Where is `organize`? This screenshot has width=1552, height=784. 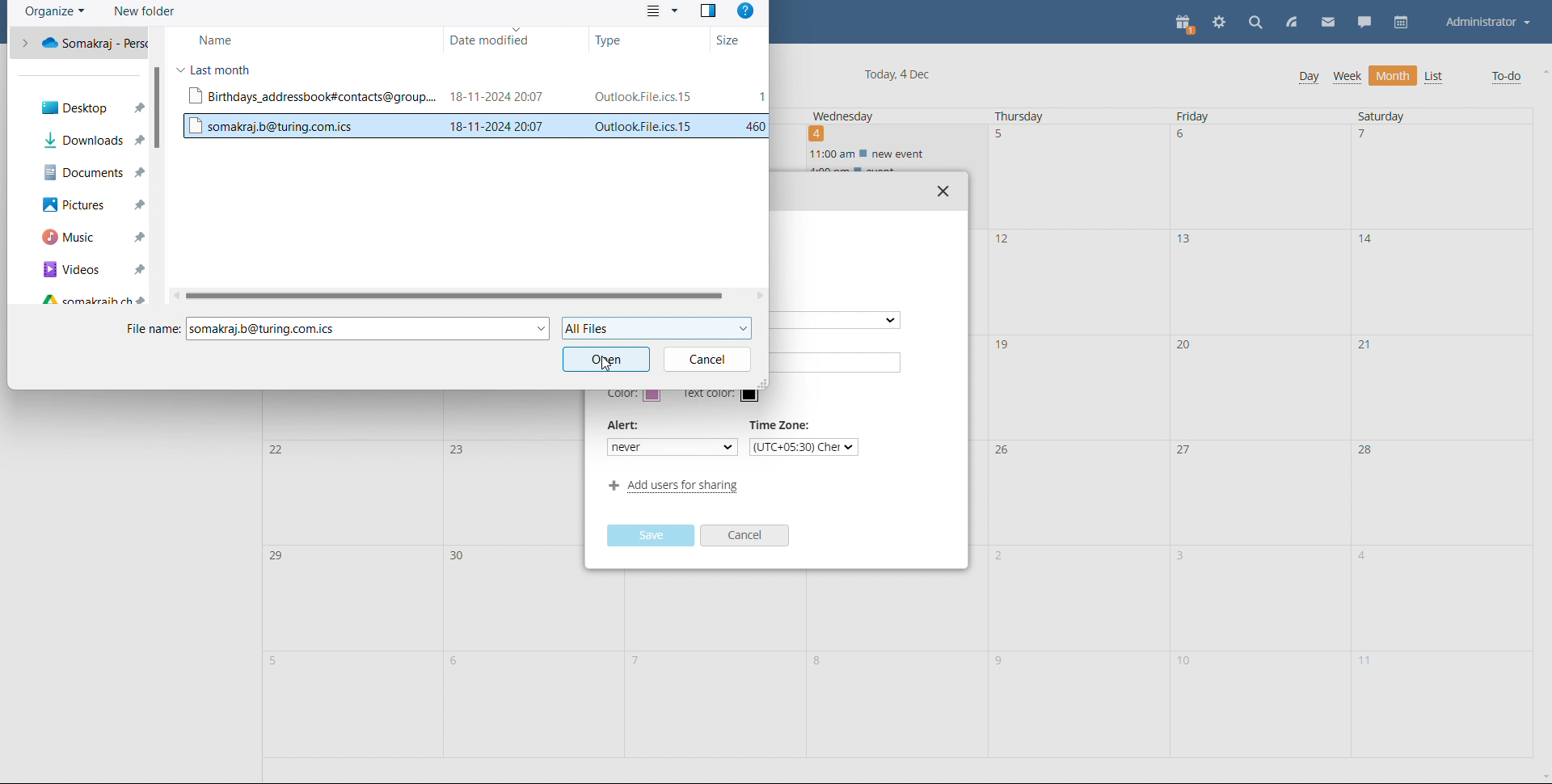 organize is located at coordinates (56, 12).